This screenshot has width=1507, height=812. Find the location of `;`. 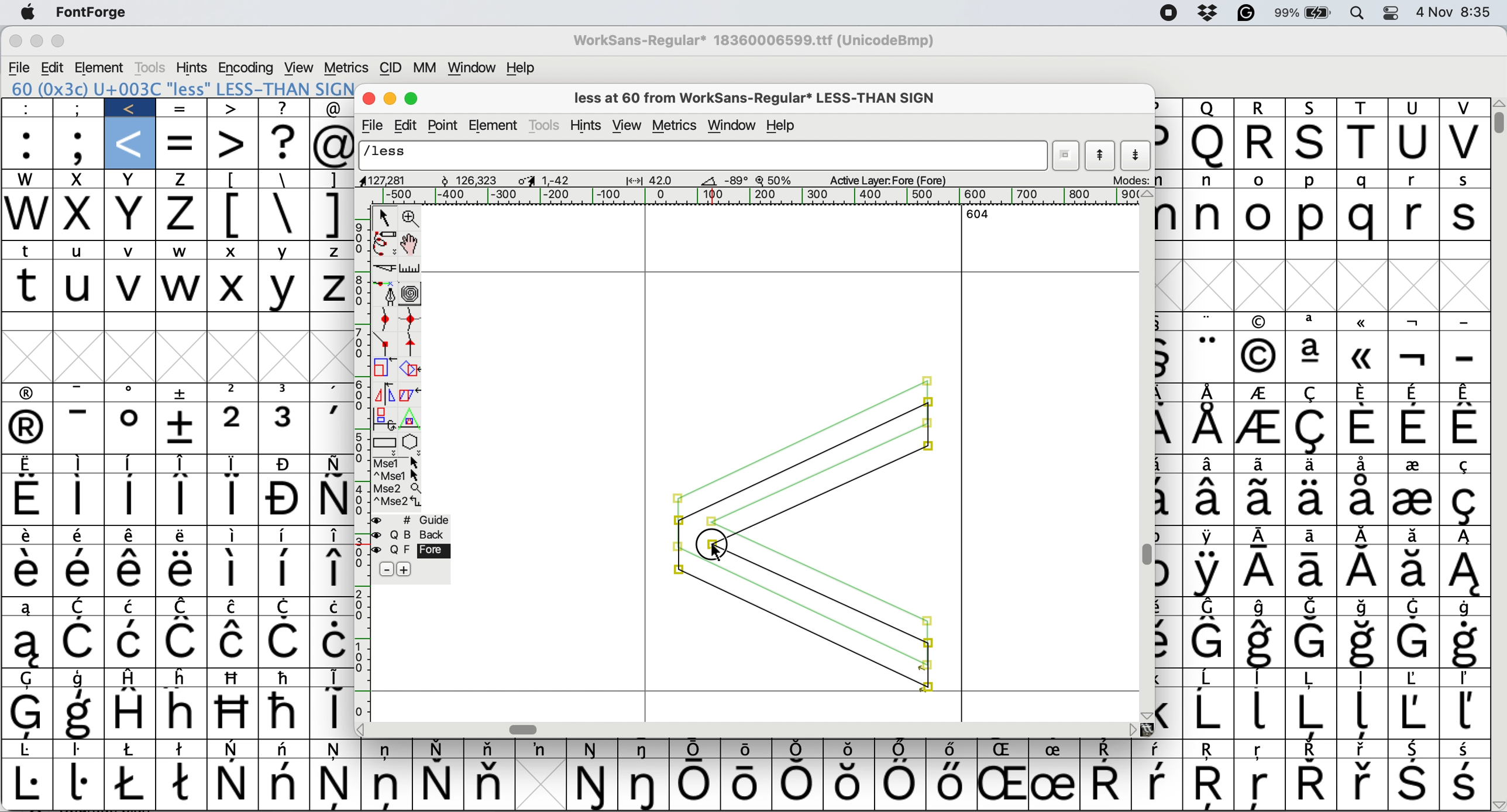

; is located at coordinates (79, 144).